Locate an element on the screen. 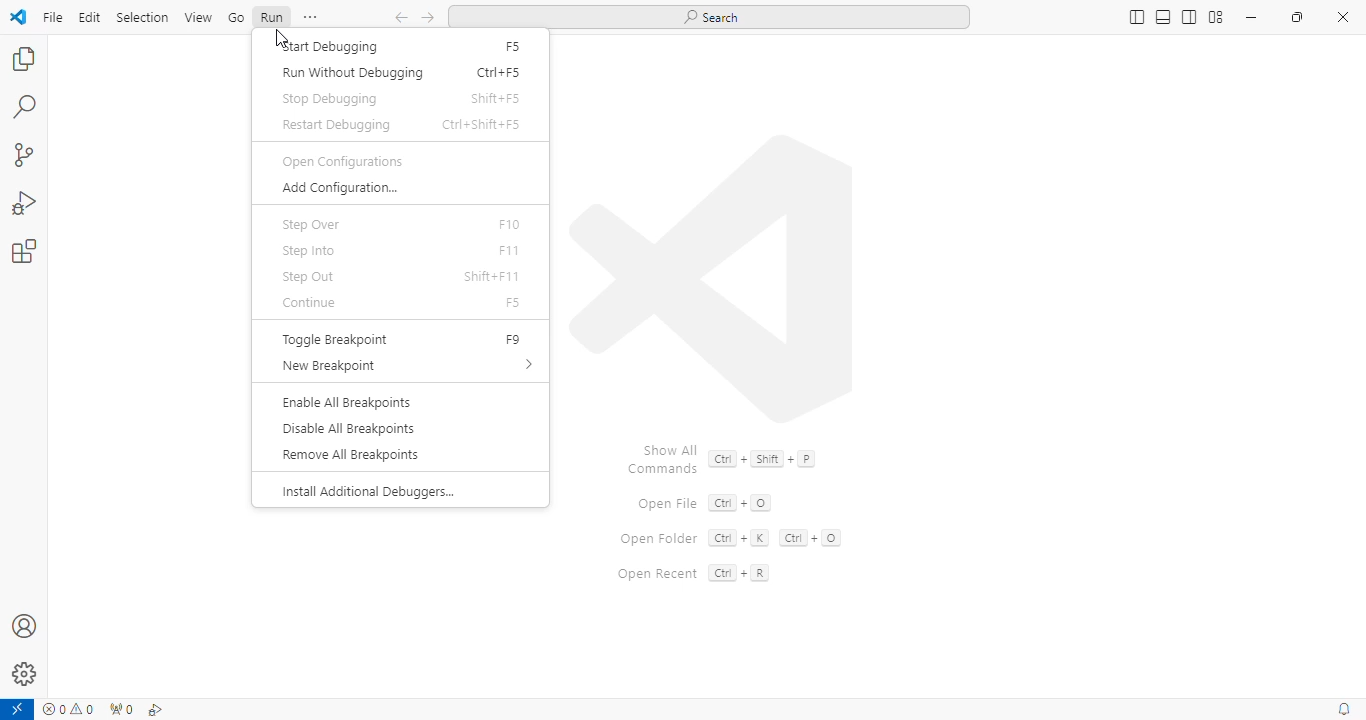 The image size is (1366, 720). selection is located at coordinates (143, 17).